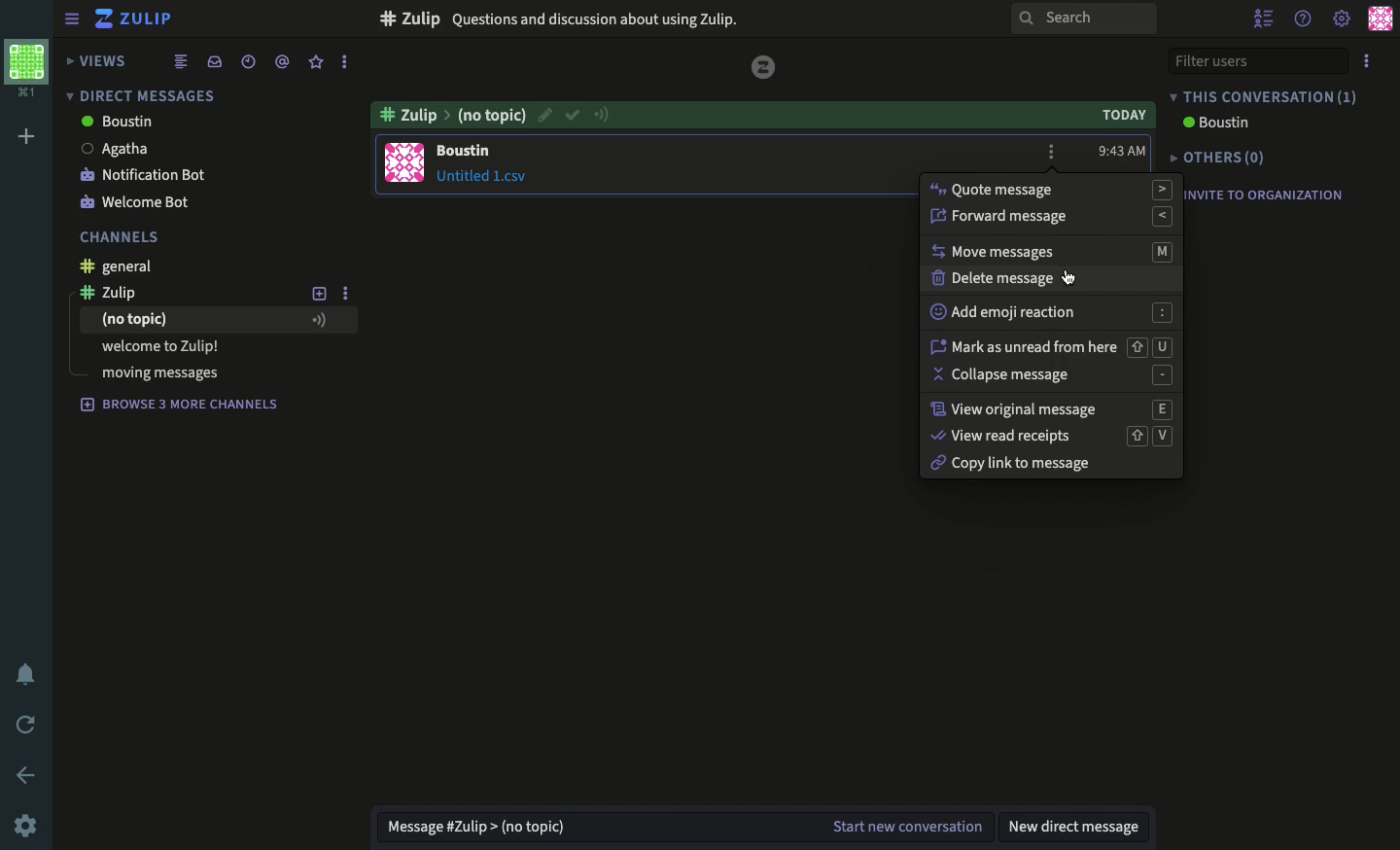 The image size is (1400, 850). I want to click on options, so click(1367, 62).